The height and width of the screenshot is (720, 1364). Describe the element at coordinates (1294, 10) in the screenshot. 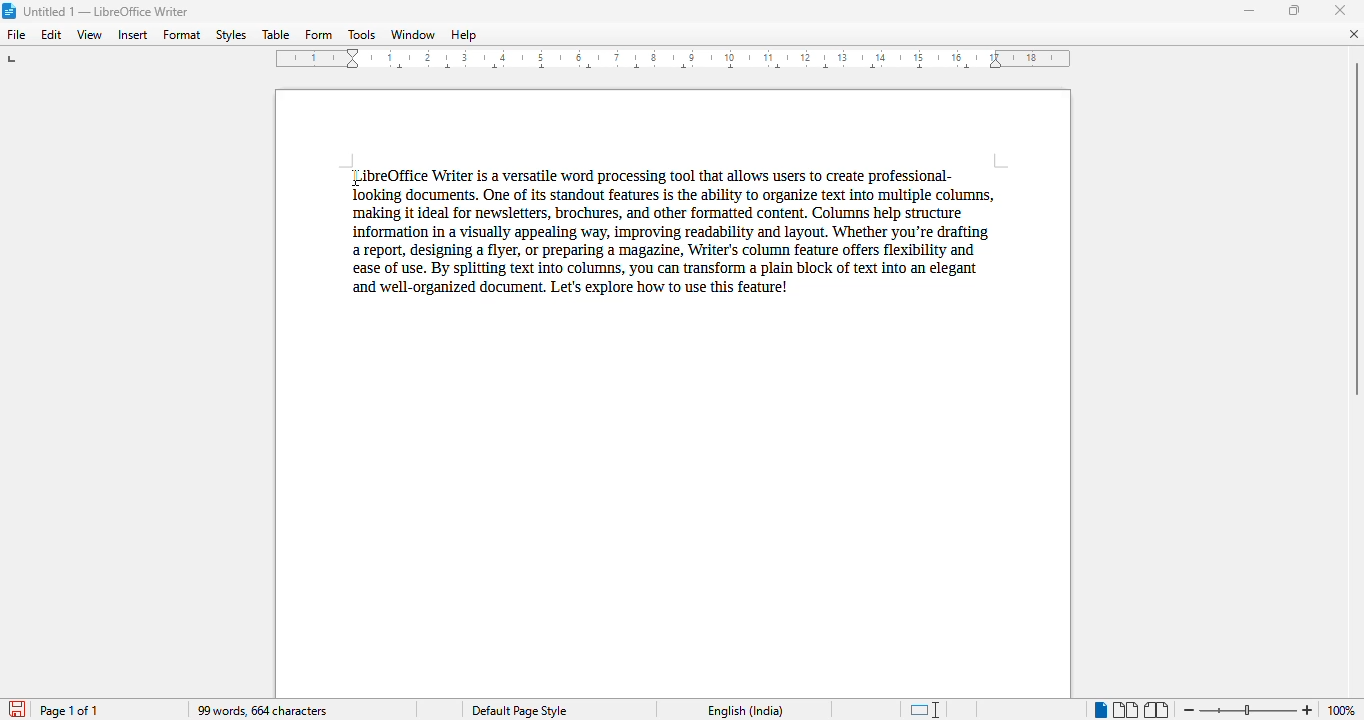

I see `maximize` at that location.